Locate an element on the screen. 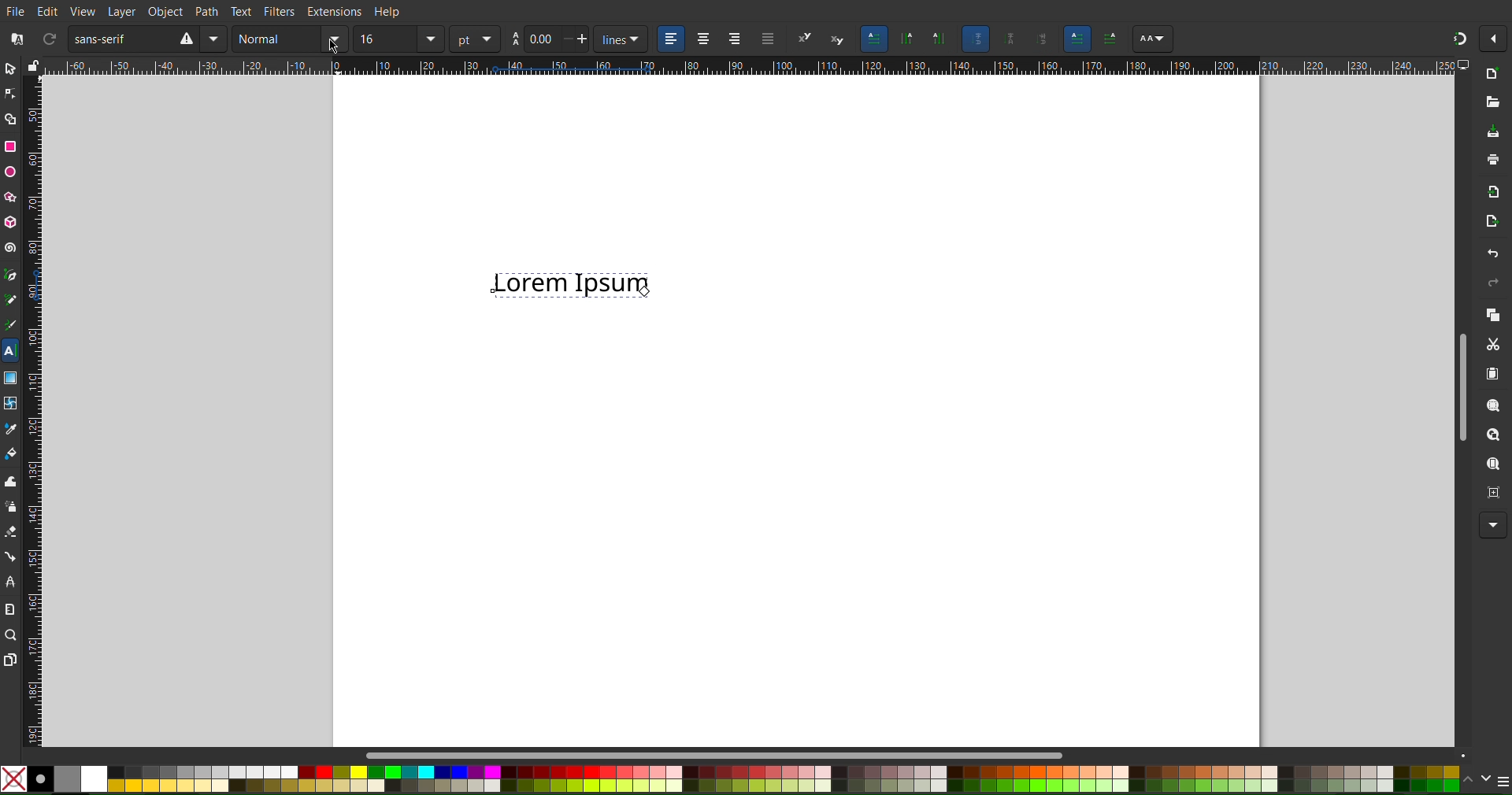 The width and height of the screenshot is (1512, 795). Zoom Page is located at coordinates (1488, 465).